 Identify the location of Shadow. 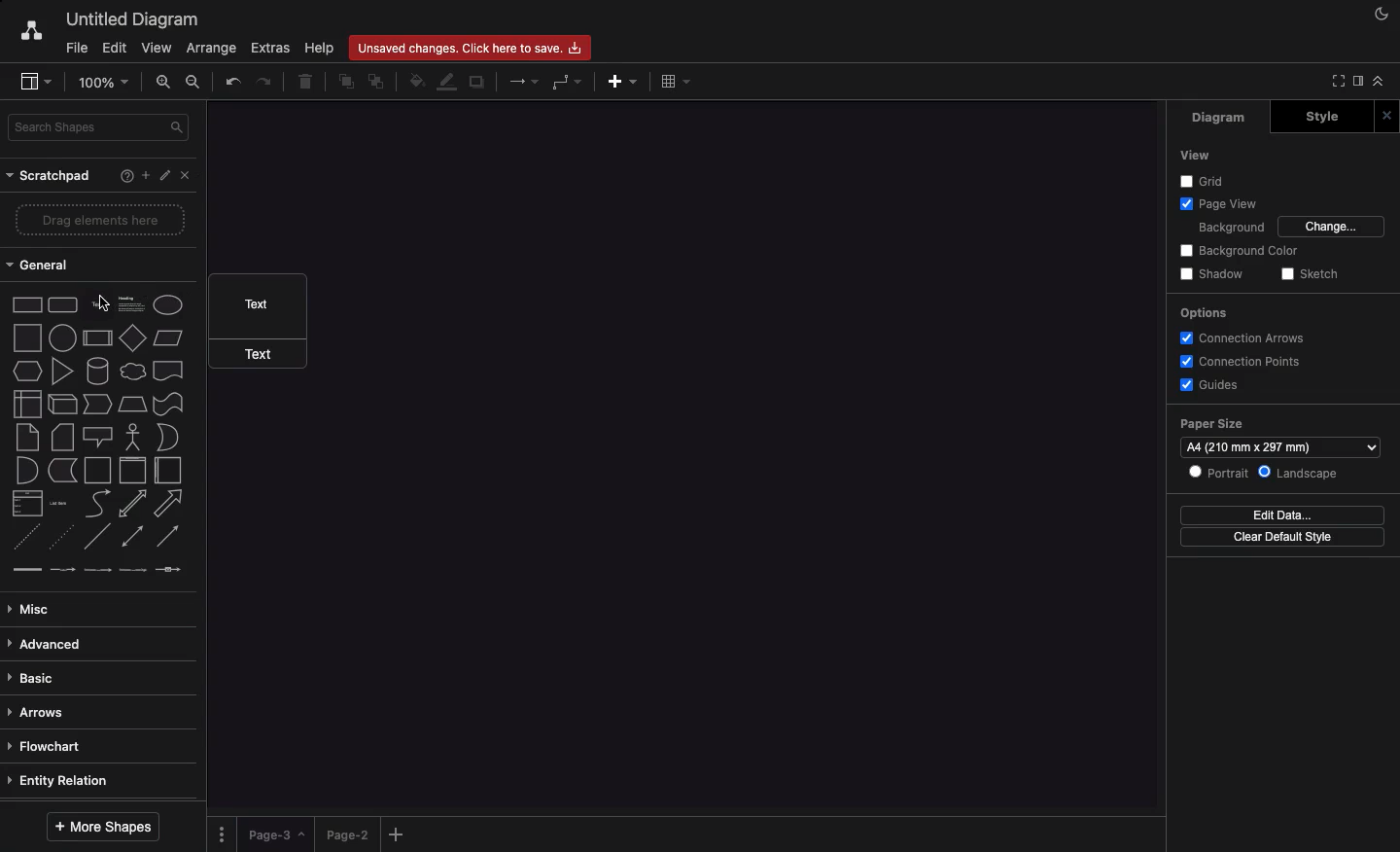
(1215, 273).